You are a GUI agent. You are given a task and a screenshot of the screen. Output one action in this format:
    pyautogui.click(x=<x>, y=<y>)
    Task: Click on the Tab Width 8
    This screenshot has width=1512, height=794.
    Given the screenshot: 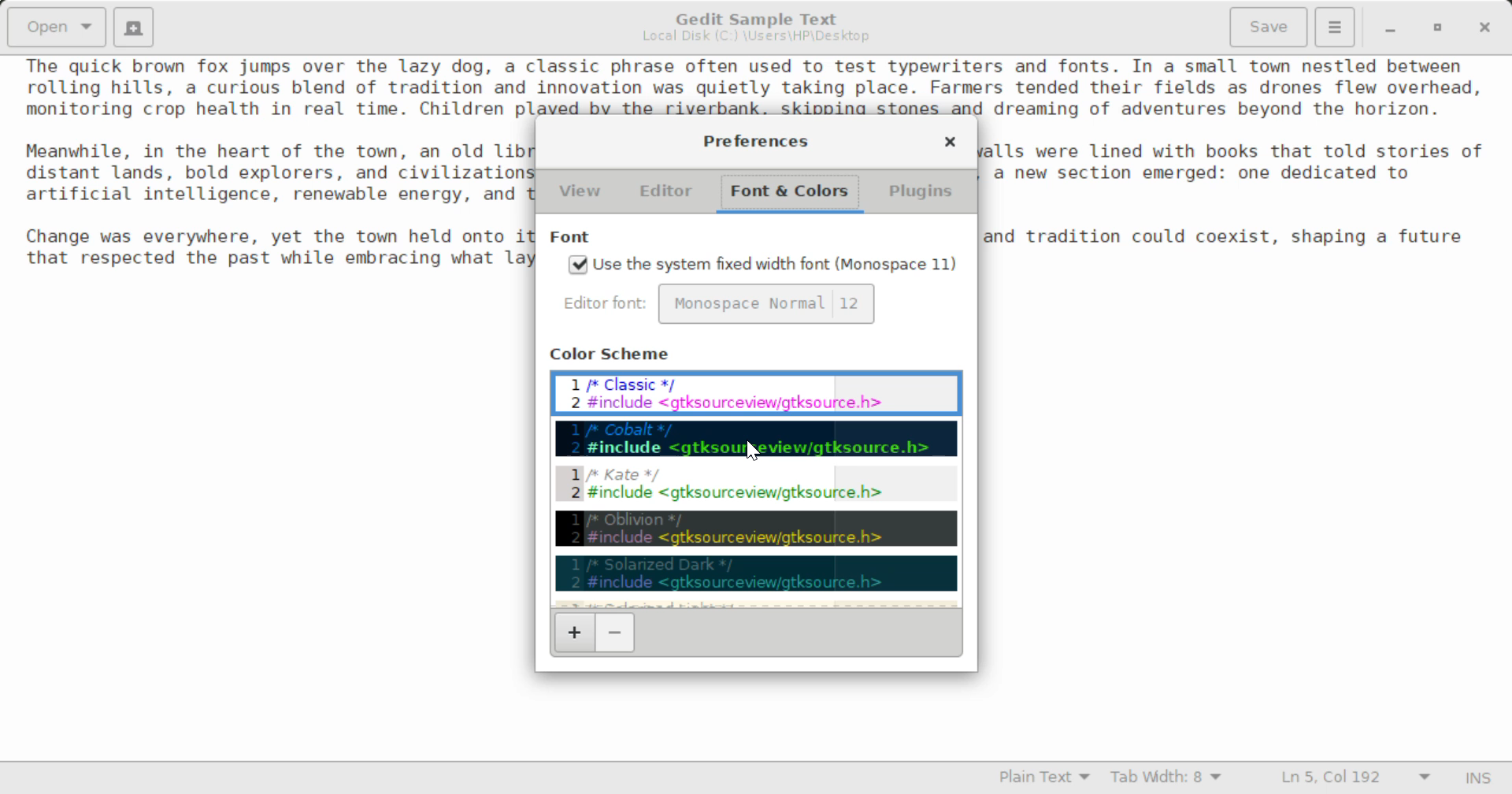 What is the action you would take?
    pyautogui.click(x=1163, y=779)
    